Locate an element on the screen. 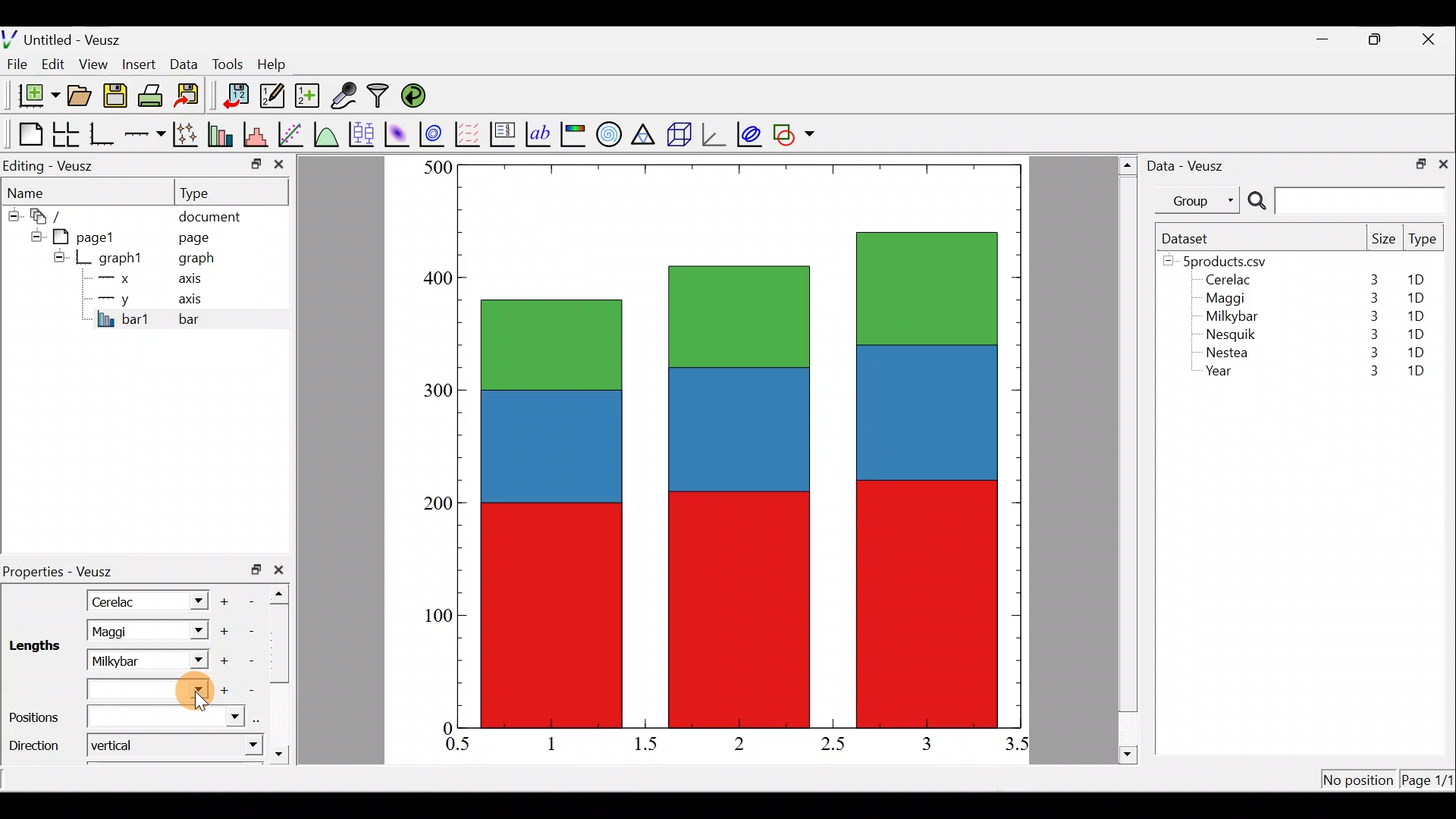 The image size is (1456, 819). Group is located at coordinates (1200, 199).